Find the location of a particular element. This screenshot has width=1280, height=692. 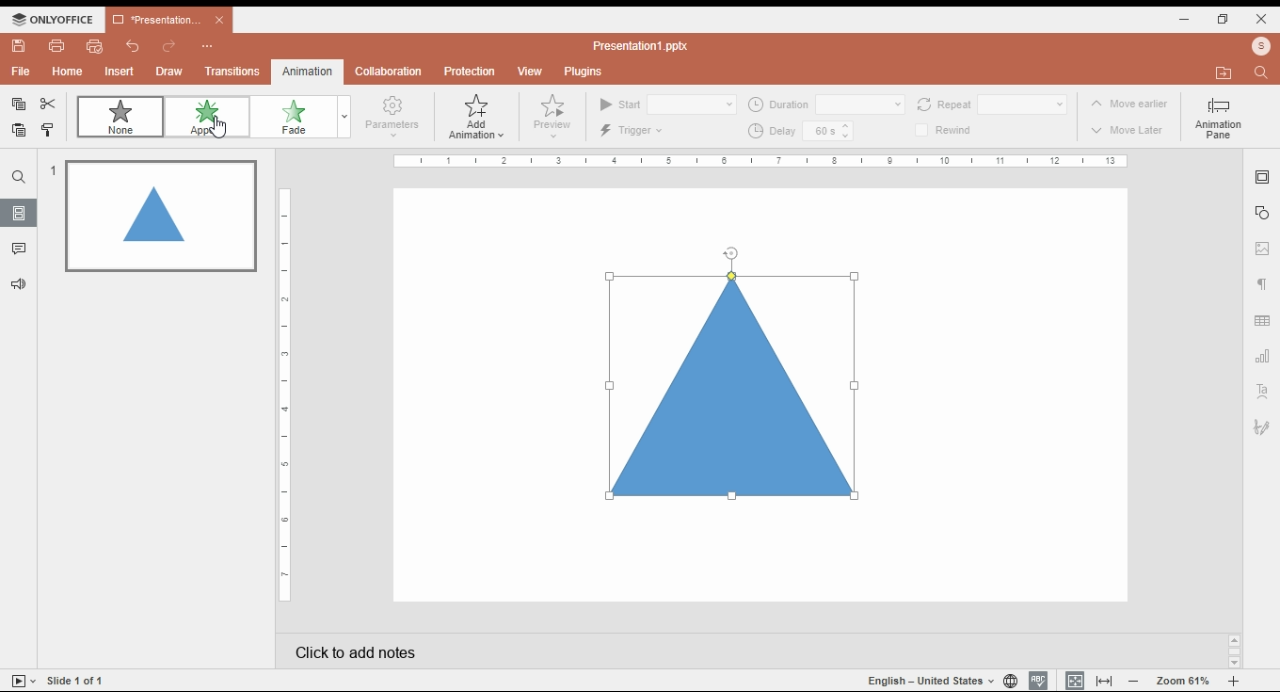

quick print is located at coordinates (97, 45).